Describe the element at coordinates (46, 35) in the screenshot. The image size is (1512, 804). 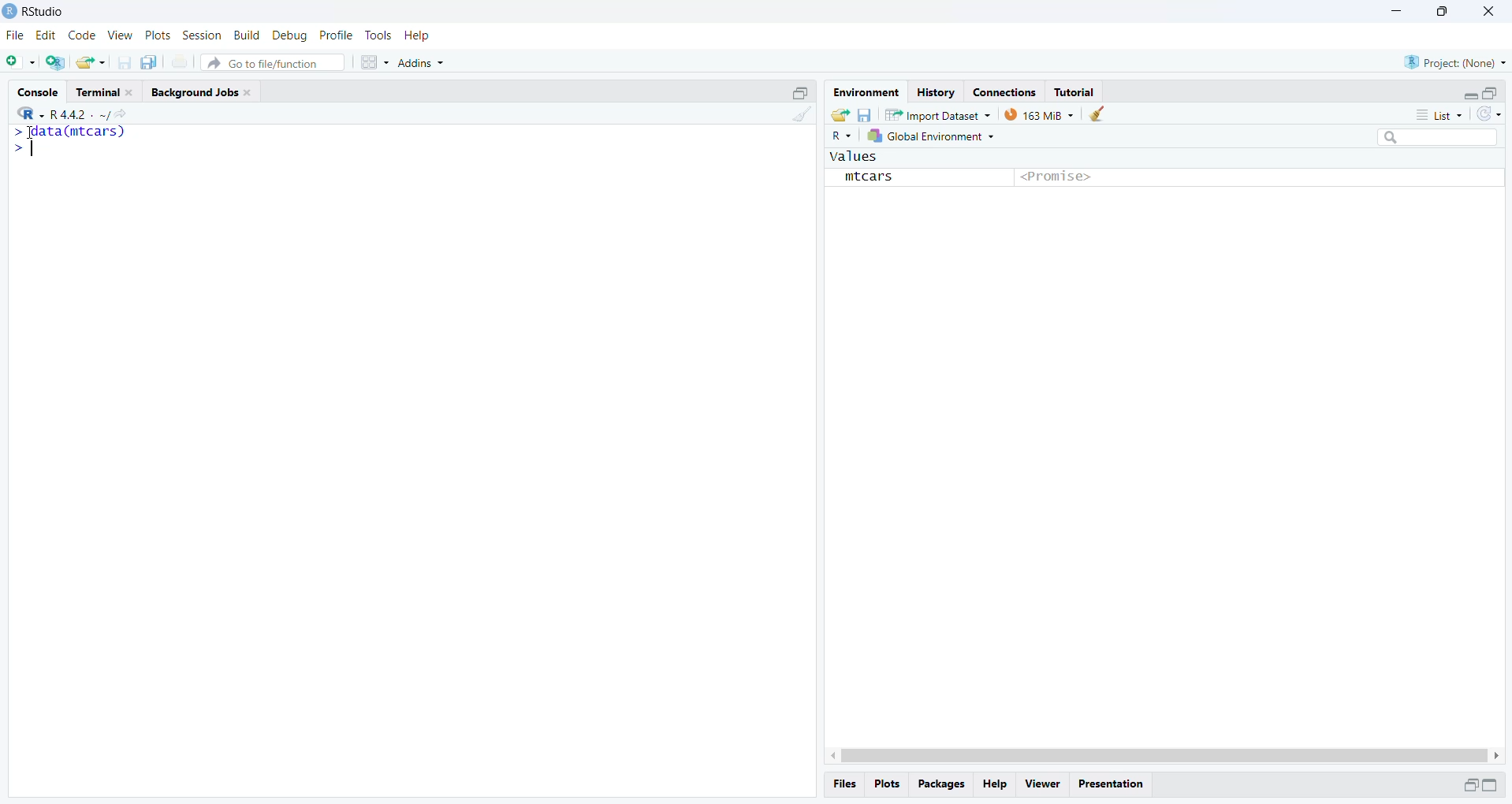
I see `edit` at that location.